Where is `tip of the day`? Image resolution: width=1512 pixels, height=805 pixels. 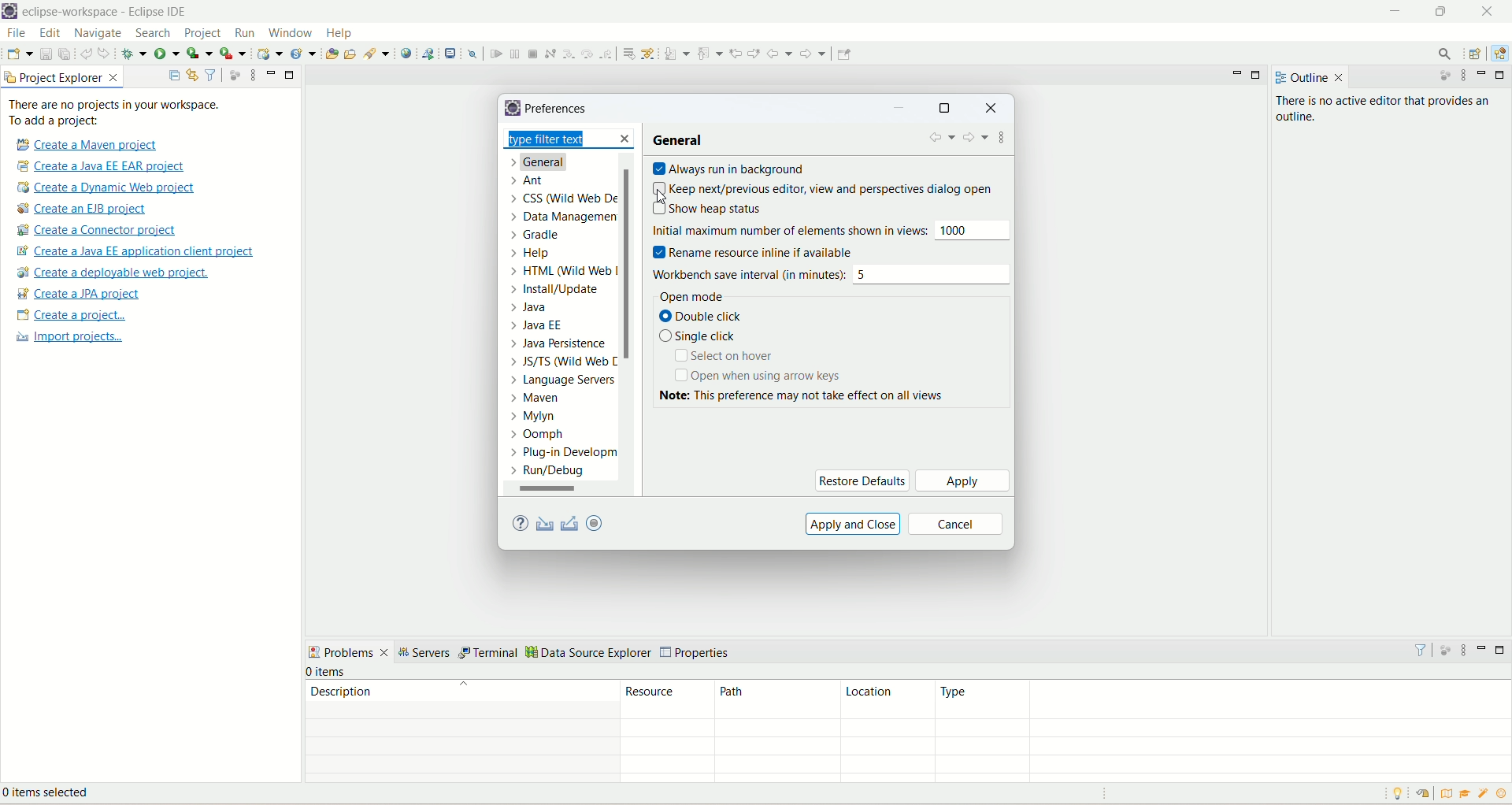
tip of the day is located at coordinates (1502, 793).